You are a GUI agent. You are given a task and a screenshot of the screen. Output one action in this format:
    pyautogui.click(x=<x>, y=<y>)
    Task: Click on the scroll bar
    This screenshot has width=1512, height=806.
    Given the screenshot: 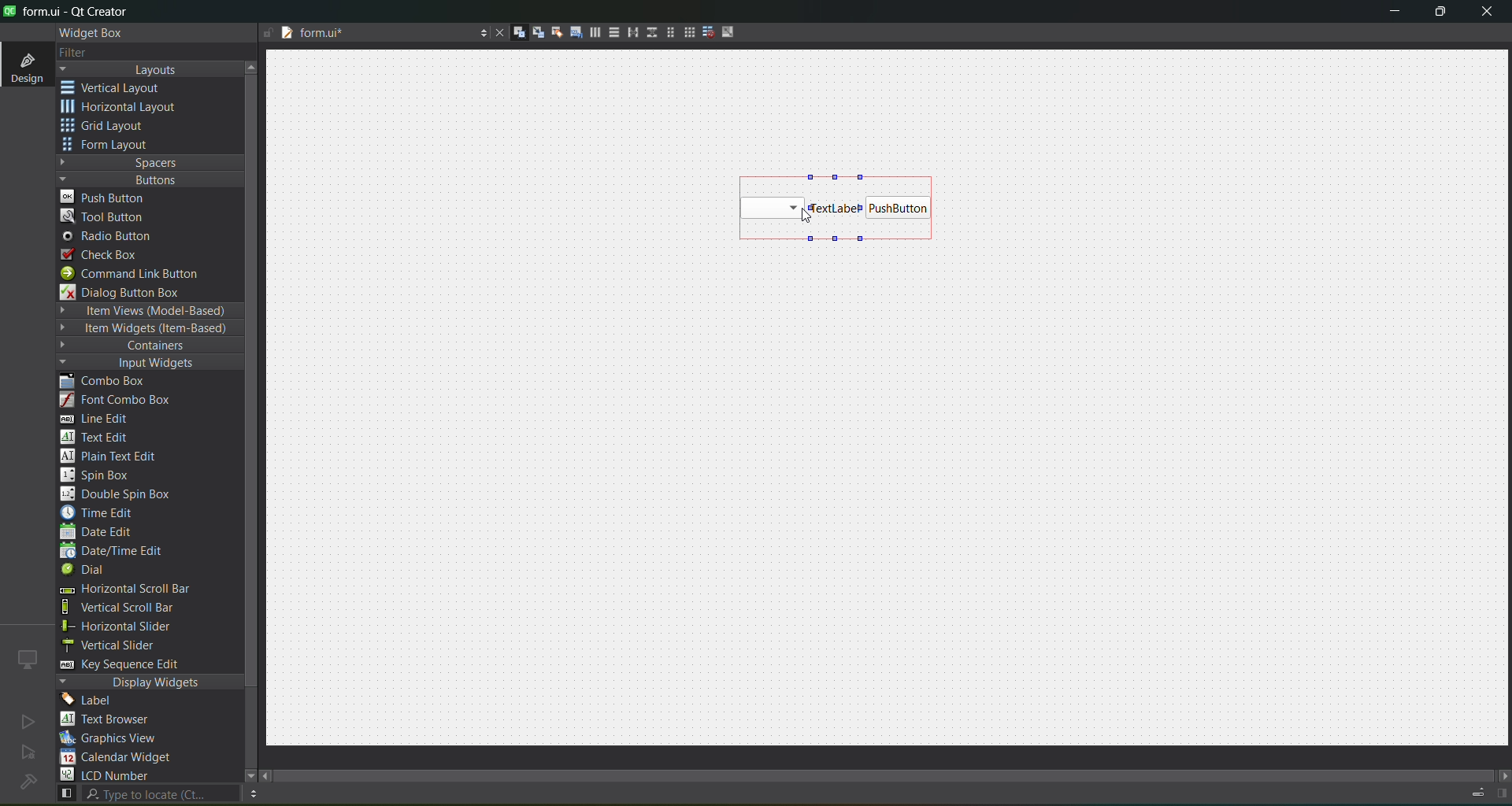 What is the action you would take?
    pyautogui.click(x=896, y=771)
    